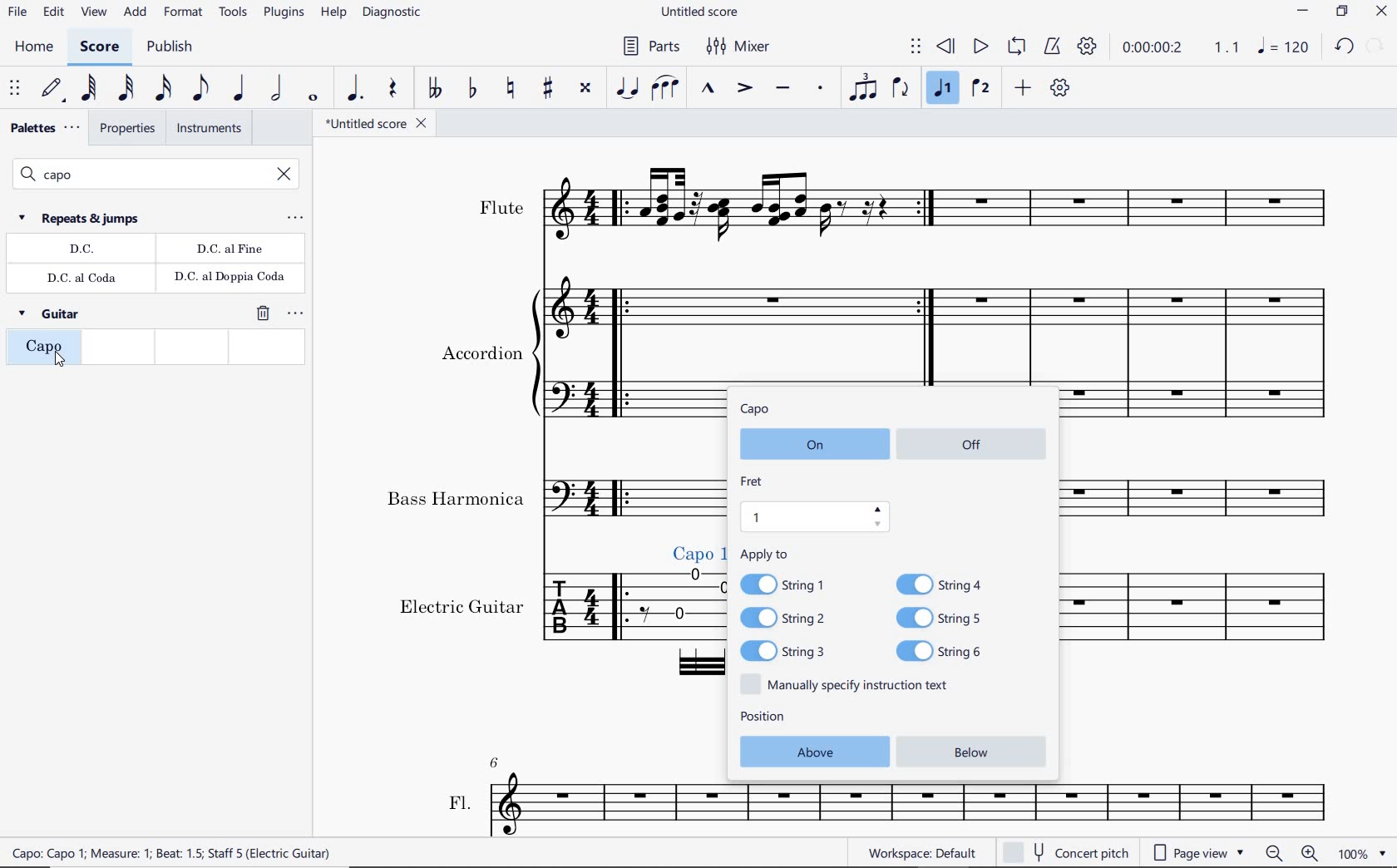  Describe the element at coordinates (511, 88) in the screenshot. I see `toggle natural` at that location.